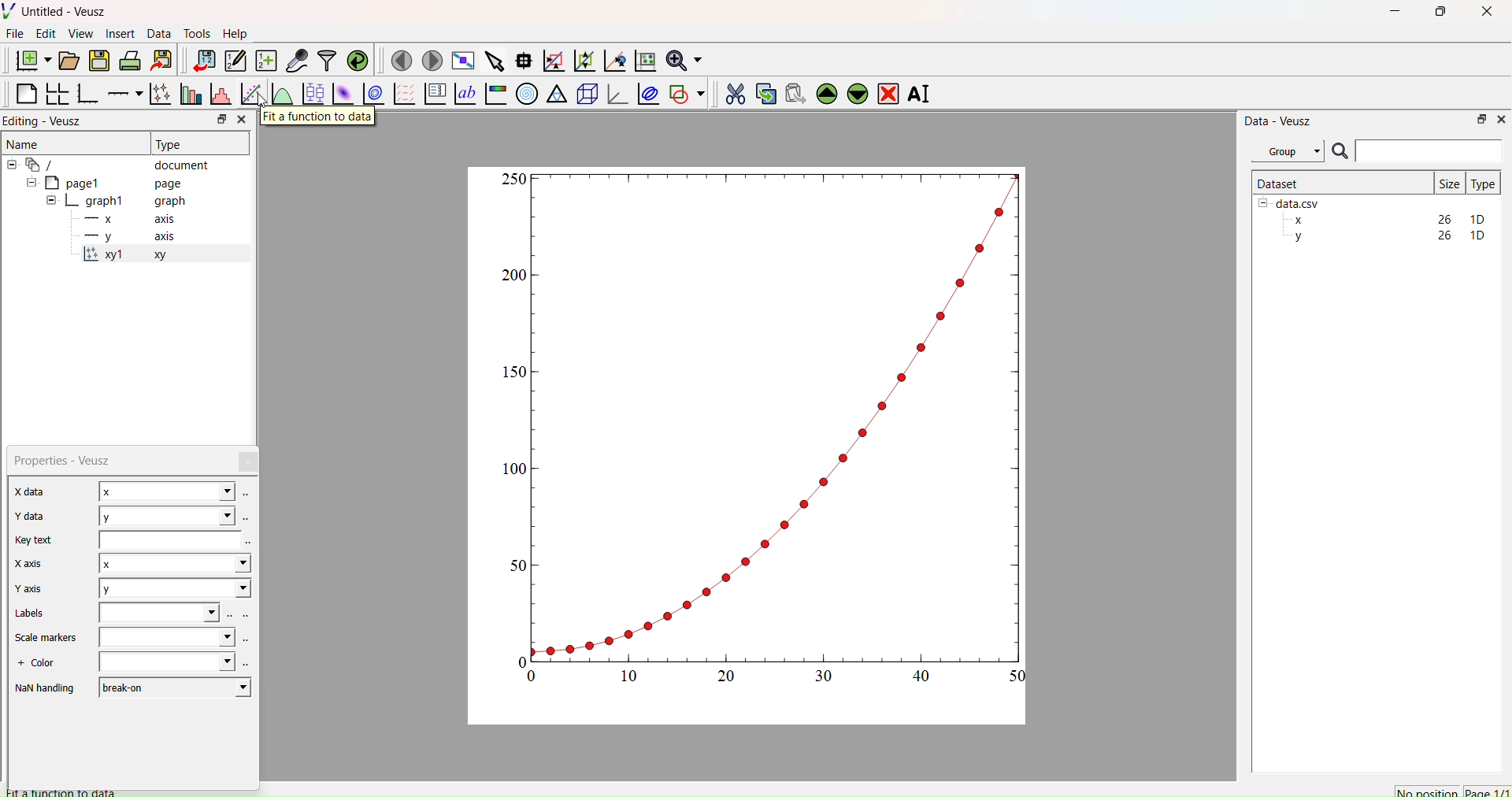 The width and height of the screenshot is (1512, 797). What do you see at coordinates (28, 588) in the screenshot?
I see `Y axis` at bounding box center [28, 588].